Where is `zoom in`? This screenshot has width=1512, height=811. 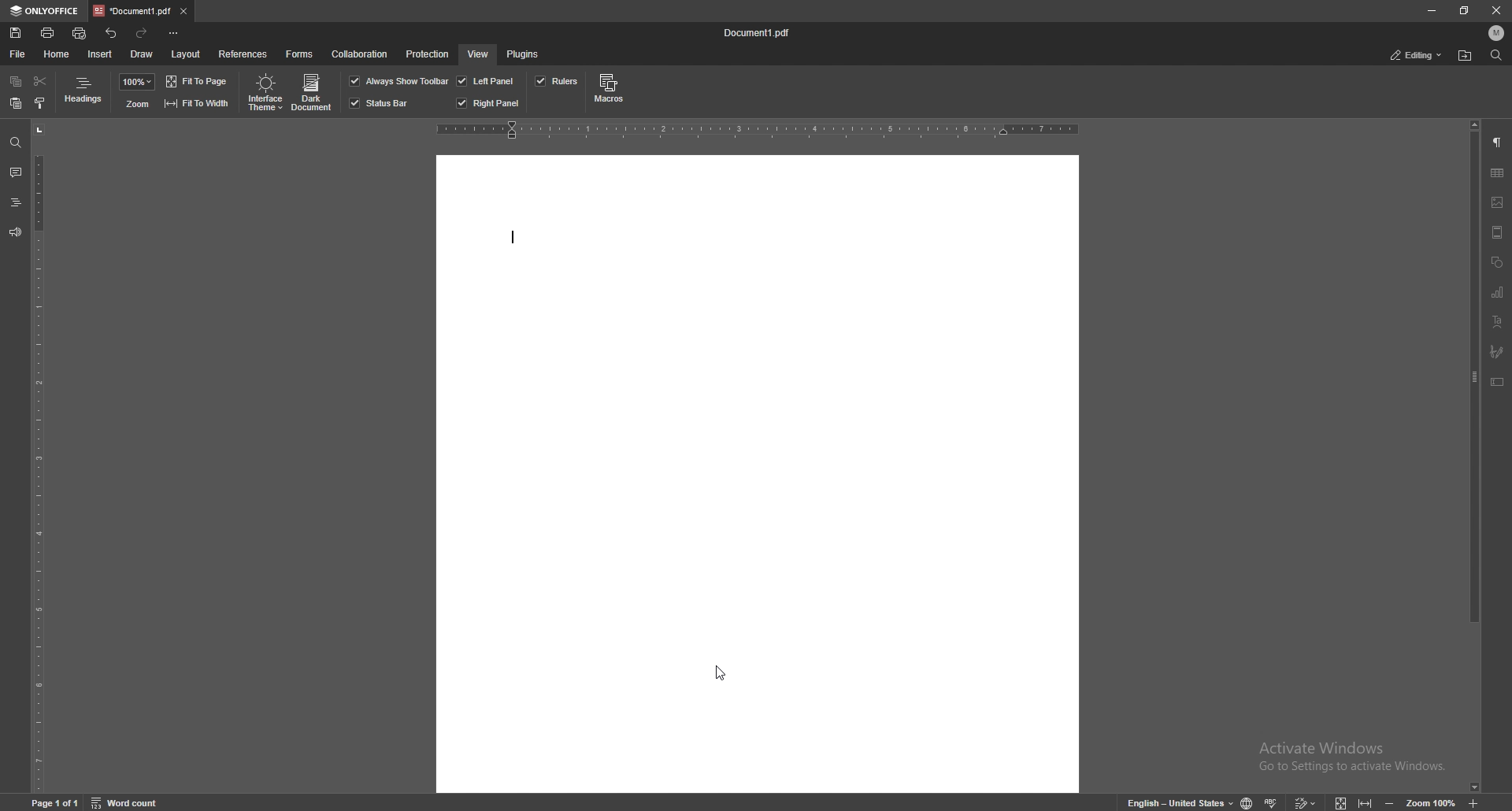
zoom in is located at coordinates (1475, 804).